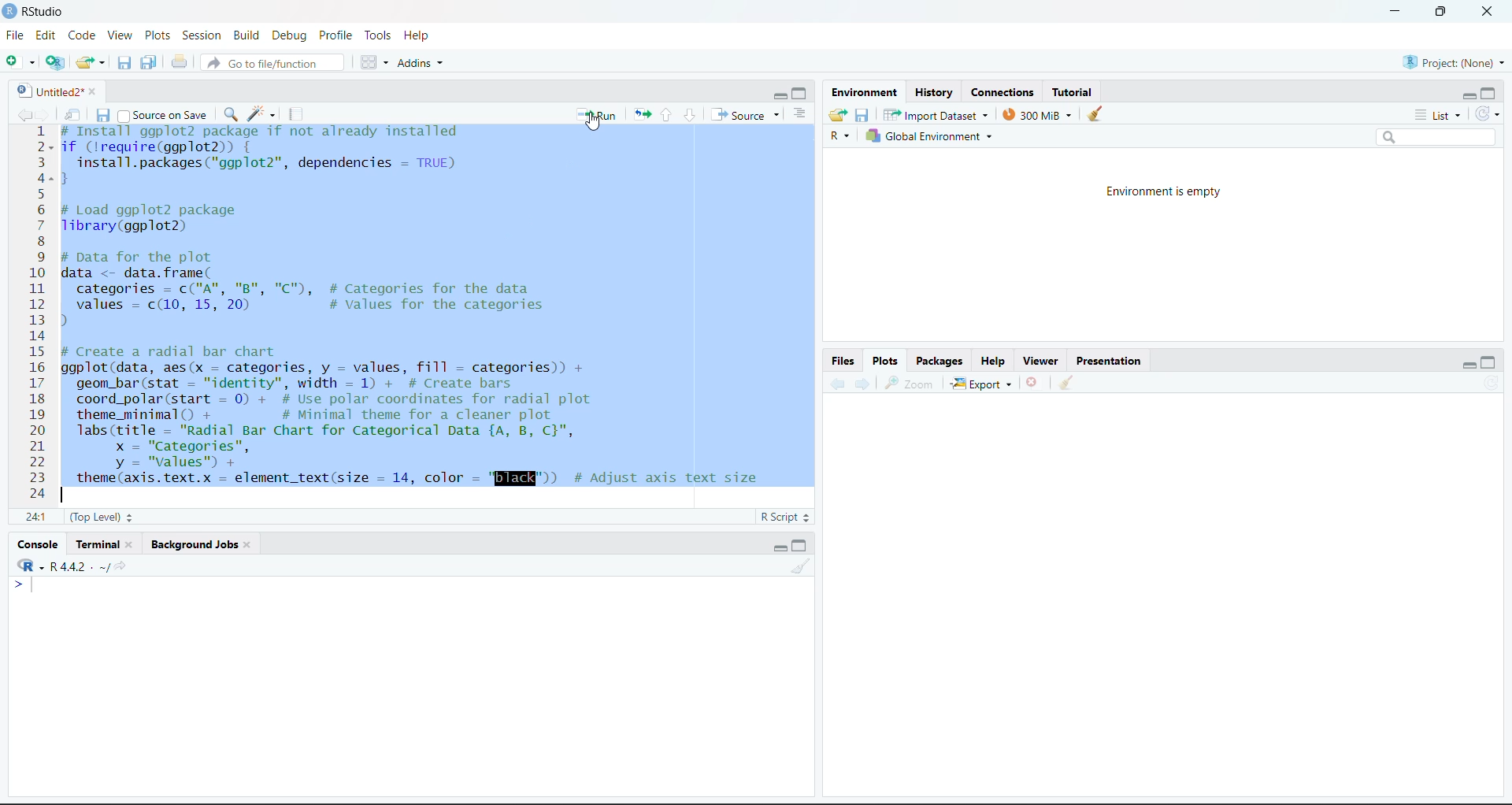 The image size is (1512, 805). I want to click on 300MB, so click(1043, 114).